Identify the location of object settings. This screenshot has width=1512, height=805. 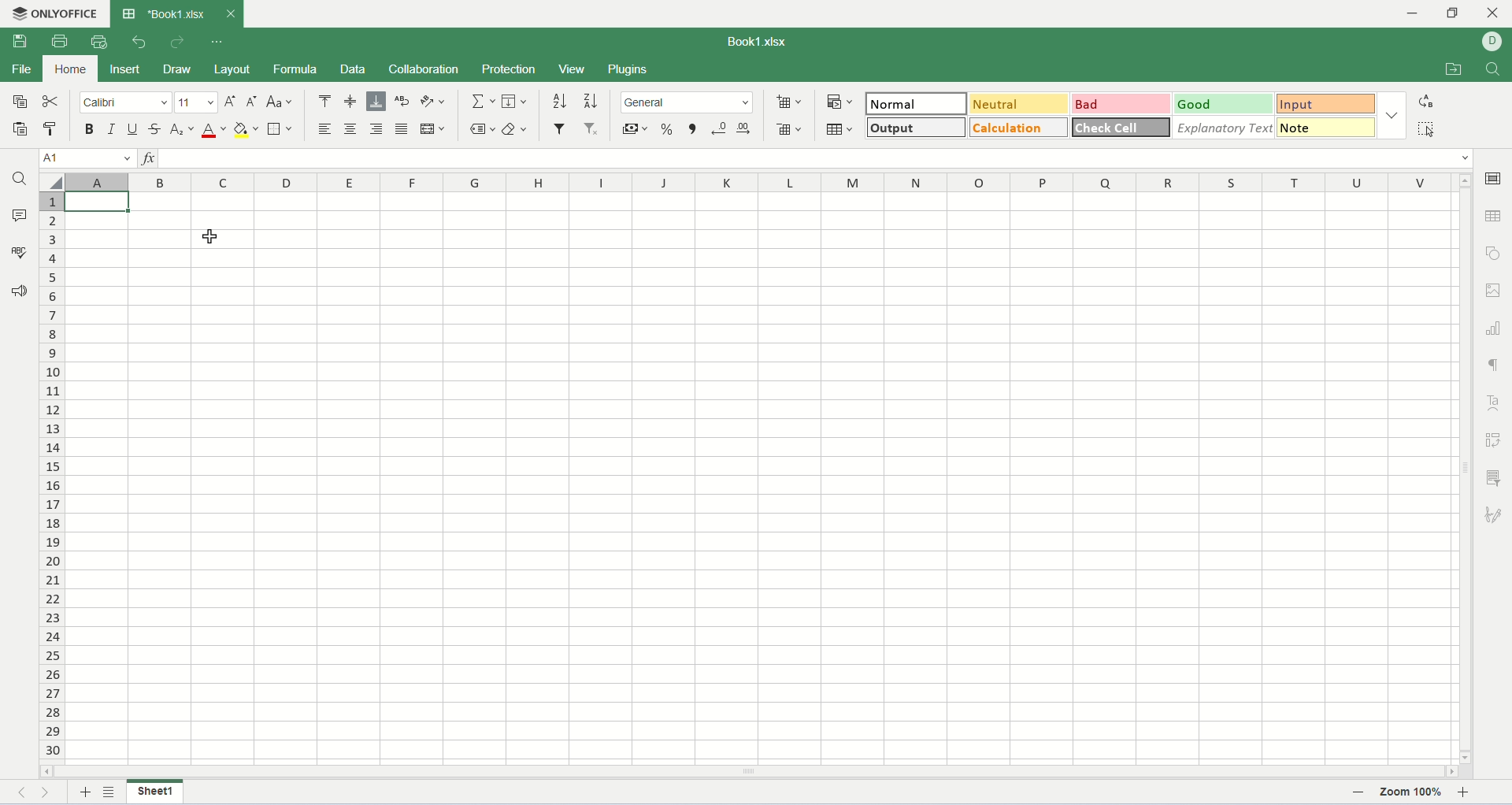
(1497, 254).